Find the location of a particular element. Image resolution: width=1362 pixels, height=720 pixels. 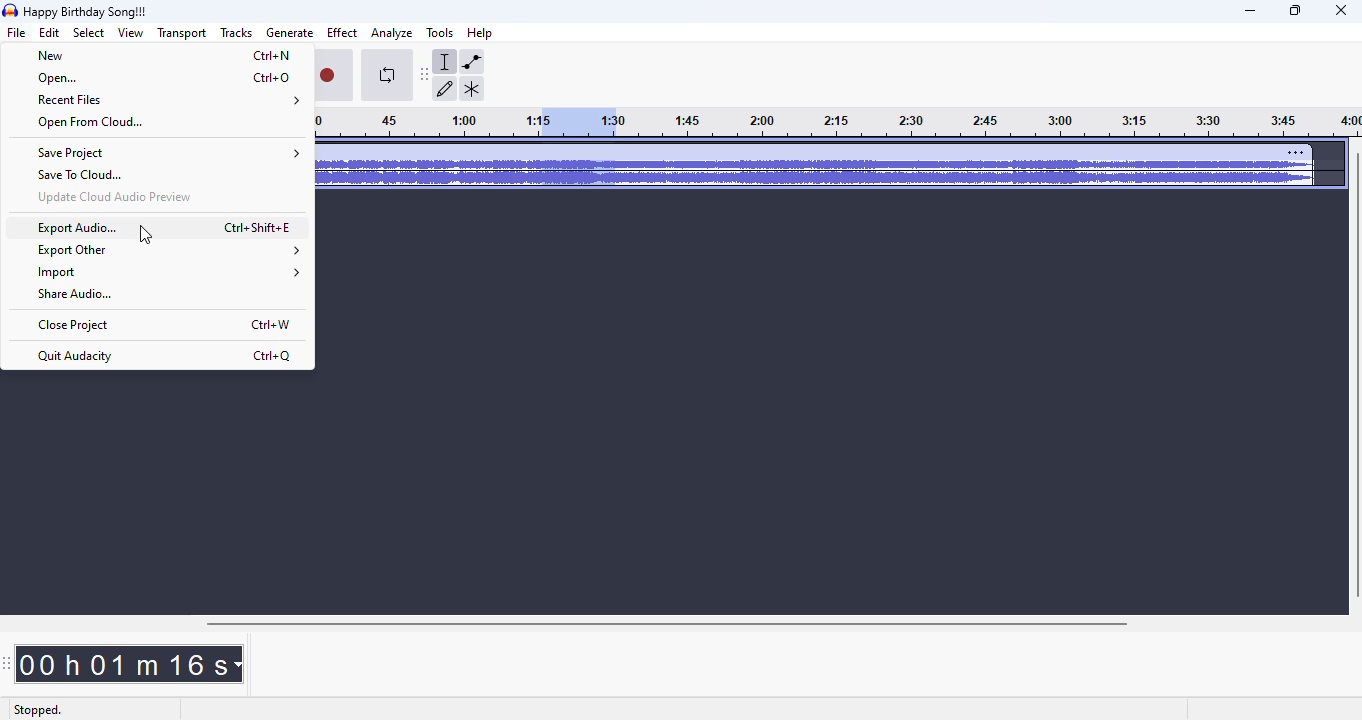

close is located at coordinates (1341, 11).